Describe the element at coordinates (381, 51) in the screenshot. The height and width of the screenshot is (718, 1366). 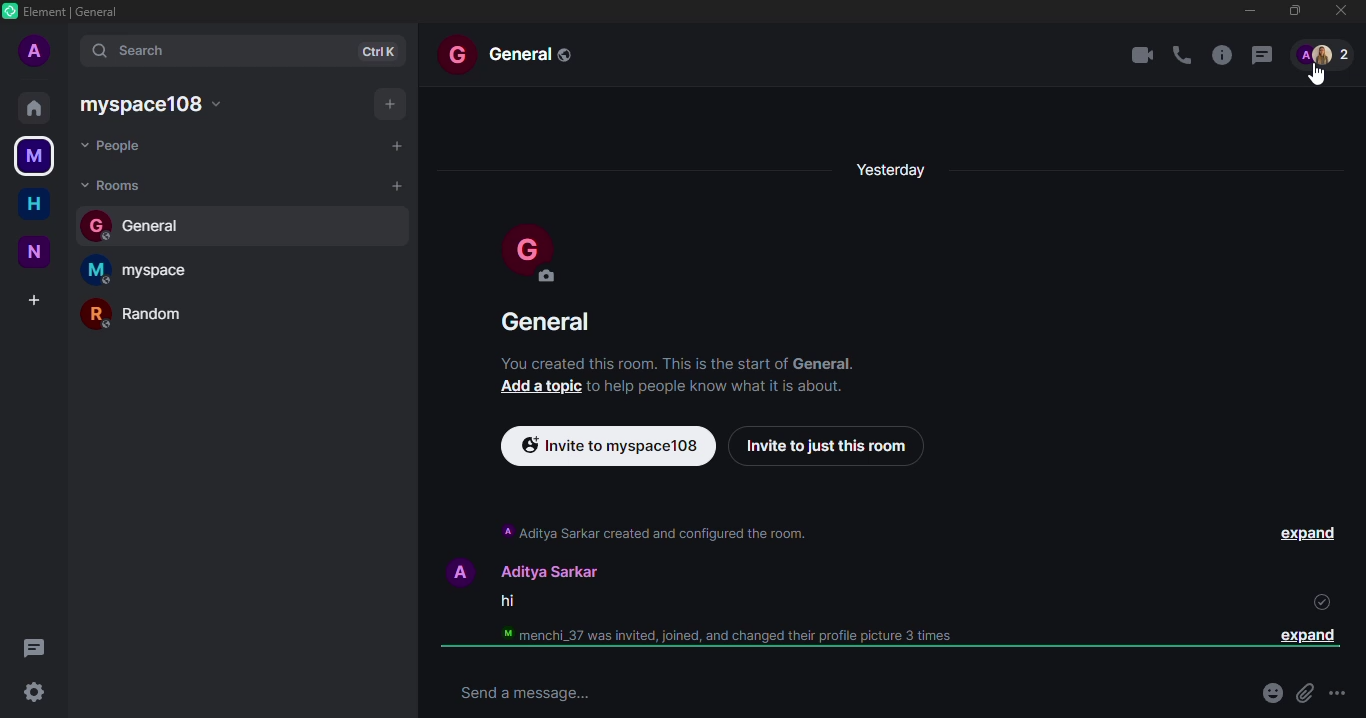
I see `ctrl+k` at that location.